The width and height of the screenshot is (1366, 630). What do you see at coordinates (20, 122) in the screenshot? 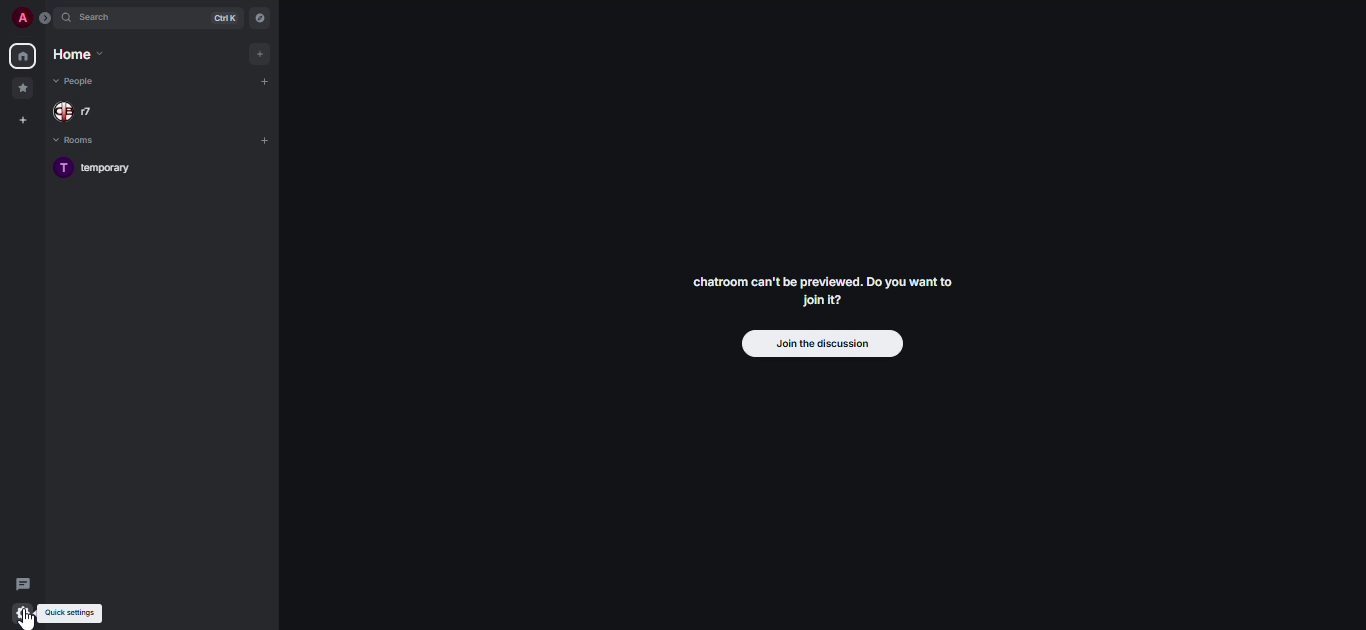
I see `create space` at bounding box center [20, 122].